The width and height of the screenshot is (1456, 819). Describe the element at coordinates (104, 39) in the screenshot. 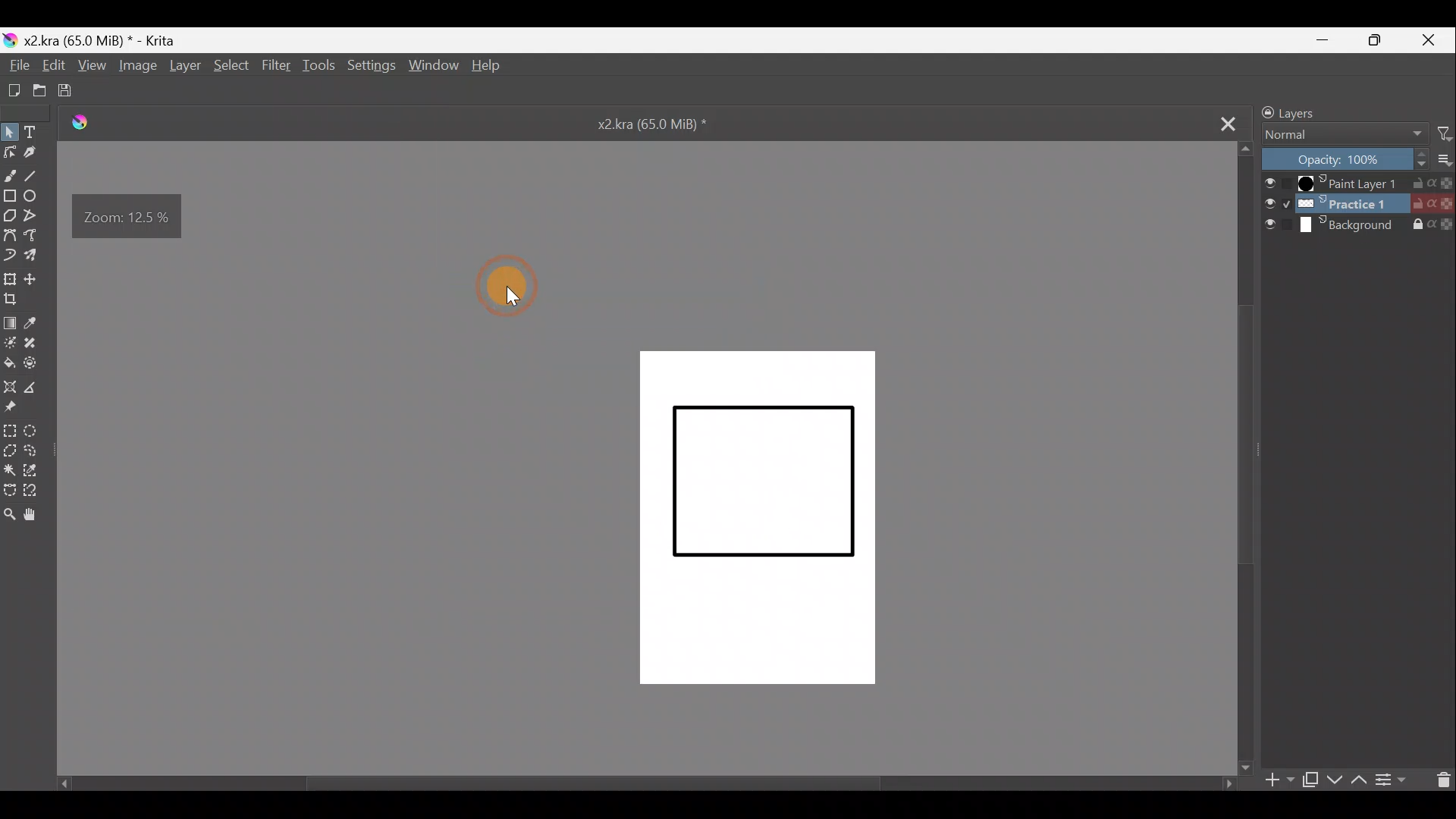

I see `x2.kra (65.0 MiB) * - Krita` at that location.